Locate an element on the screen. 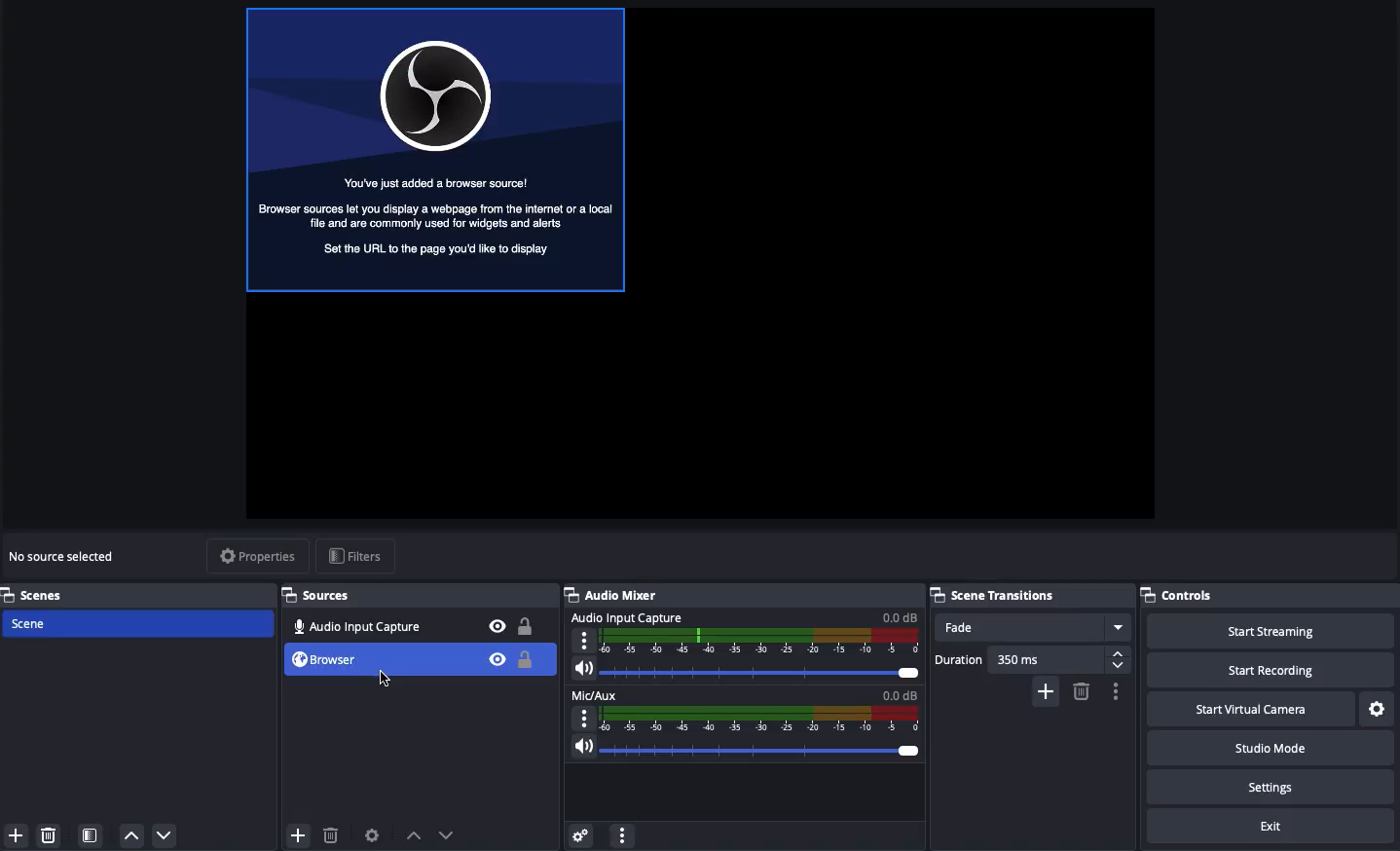  Audio mixer is located at coordinates (621, 594).